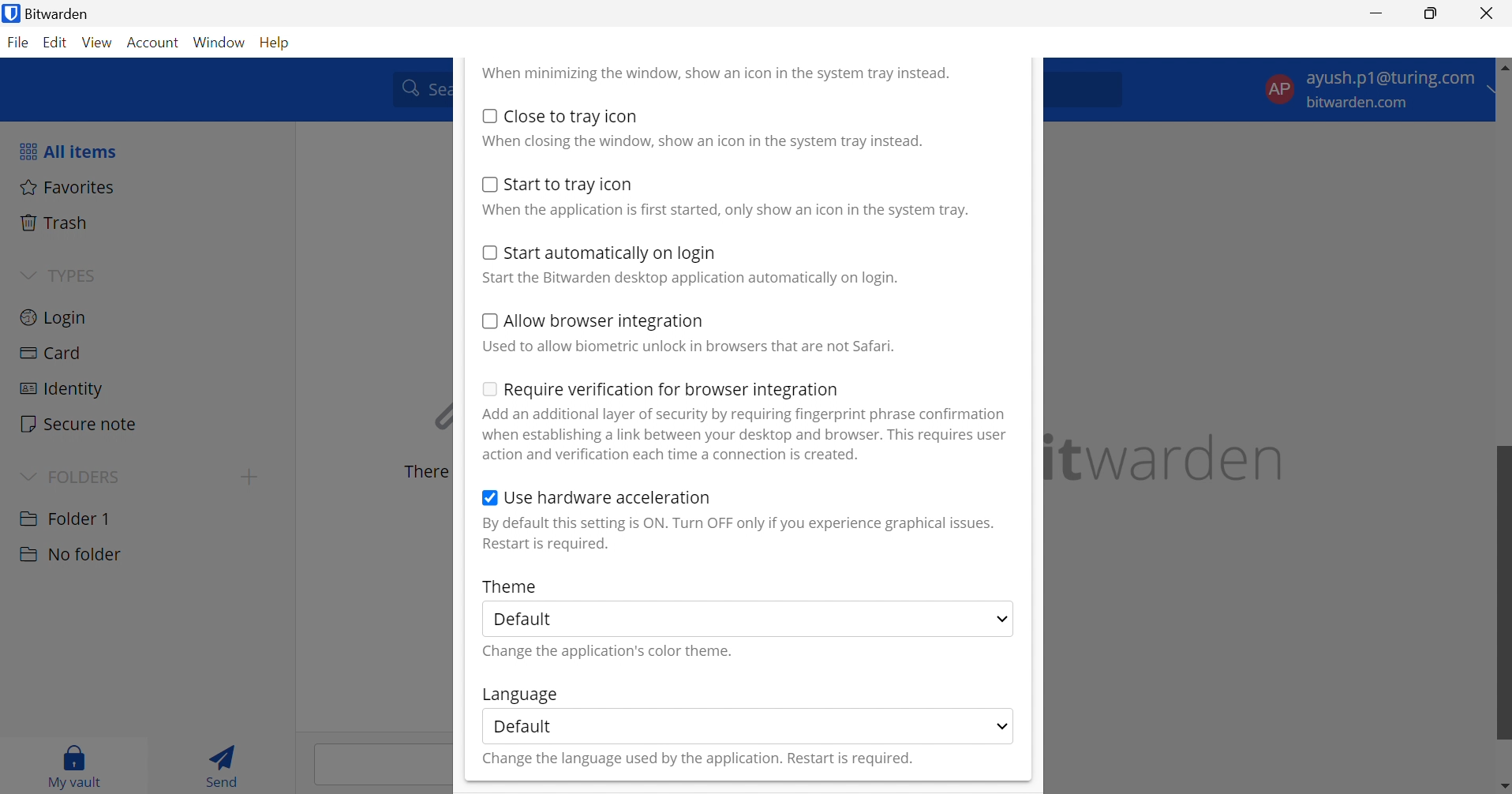  I want to click on Checkbox, so click(489, 500).